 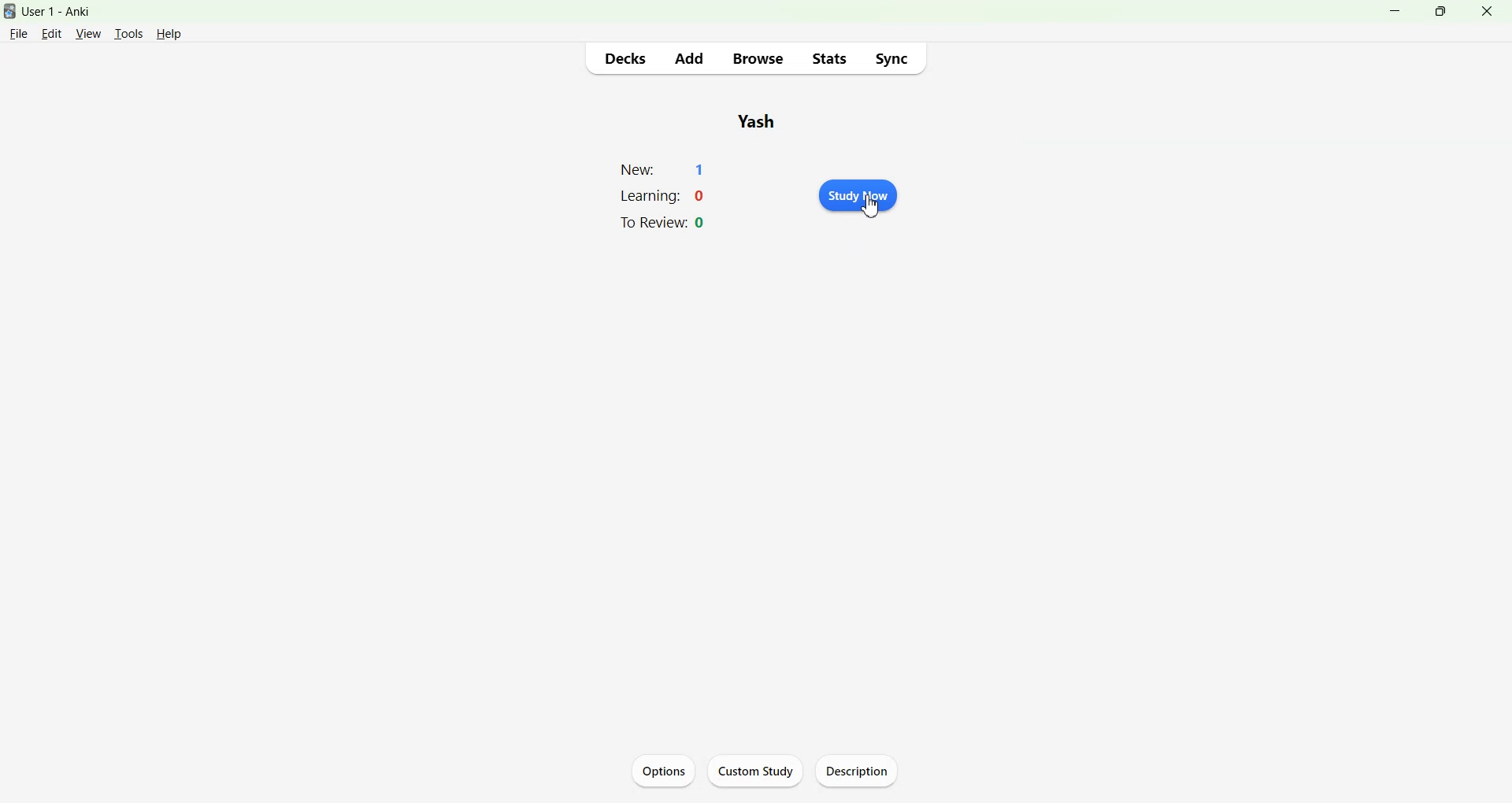 What do you see at coordinates (1486, 11) in the screenshot?
I see `Close` at bounding box center [1486, 11].